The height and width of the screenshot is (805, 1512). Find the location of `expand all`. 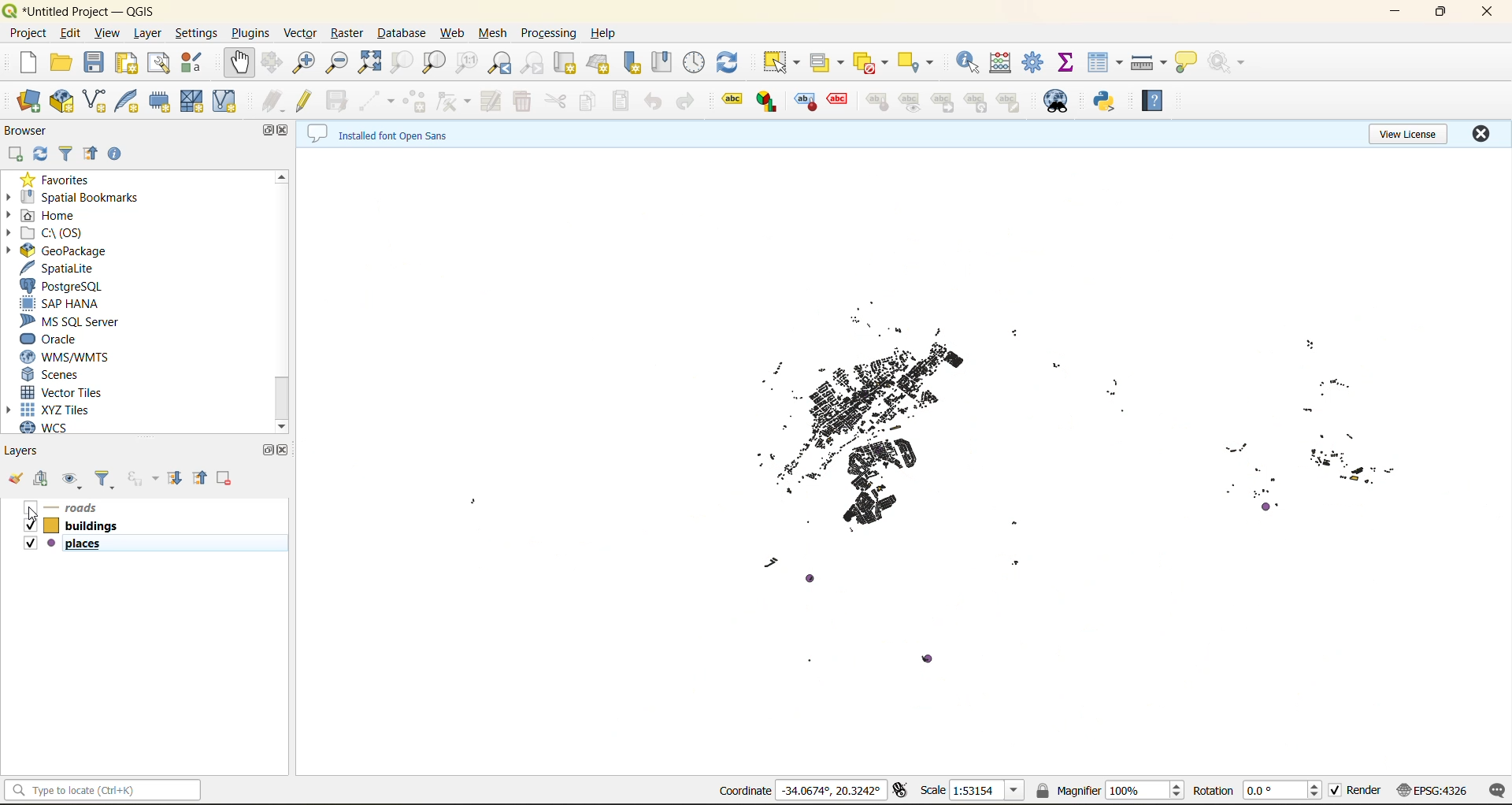

expand all is located at coordinates (180, 476).